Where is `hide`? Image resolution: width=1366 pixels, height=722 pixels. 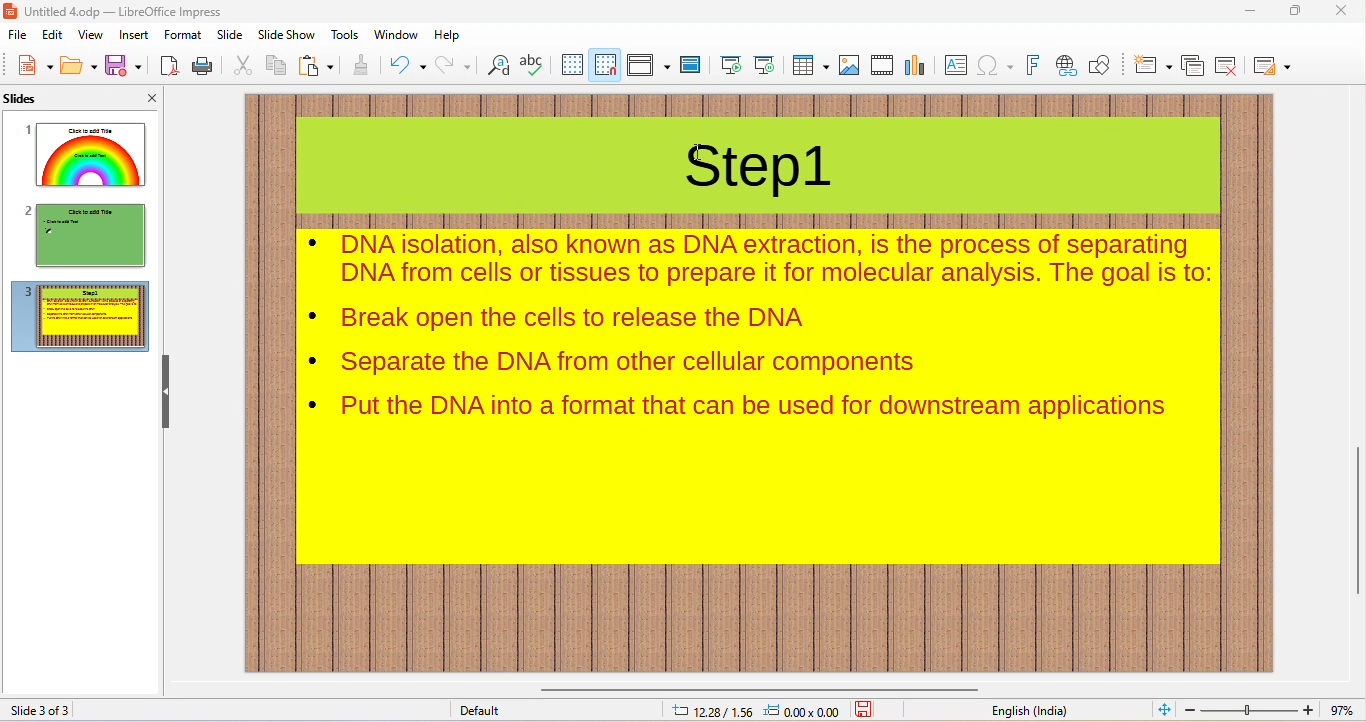
hide is located at coordinates (171, 397).